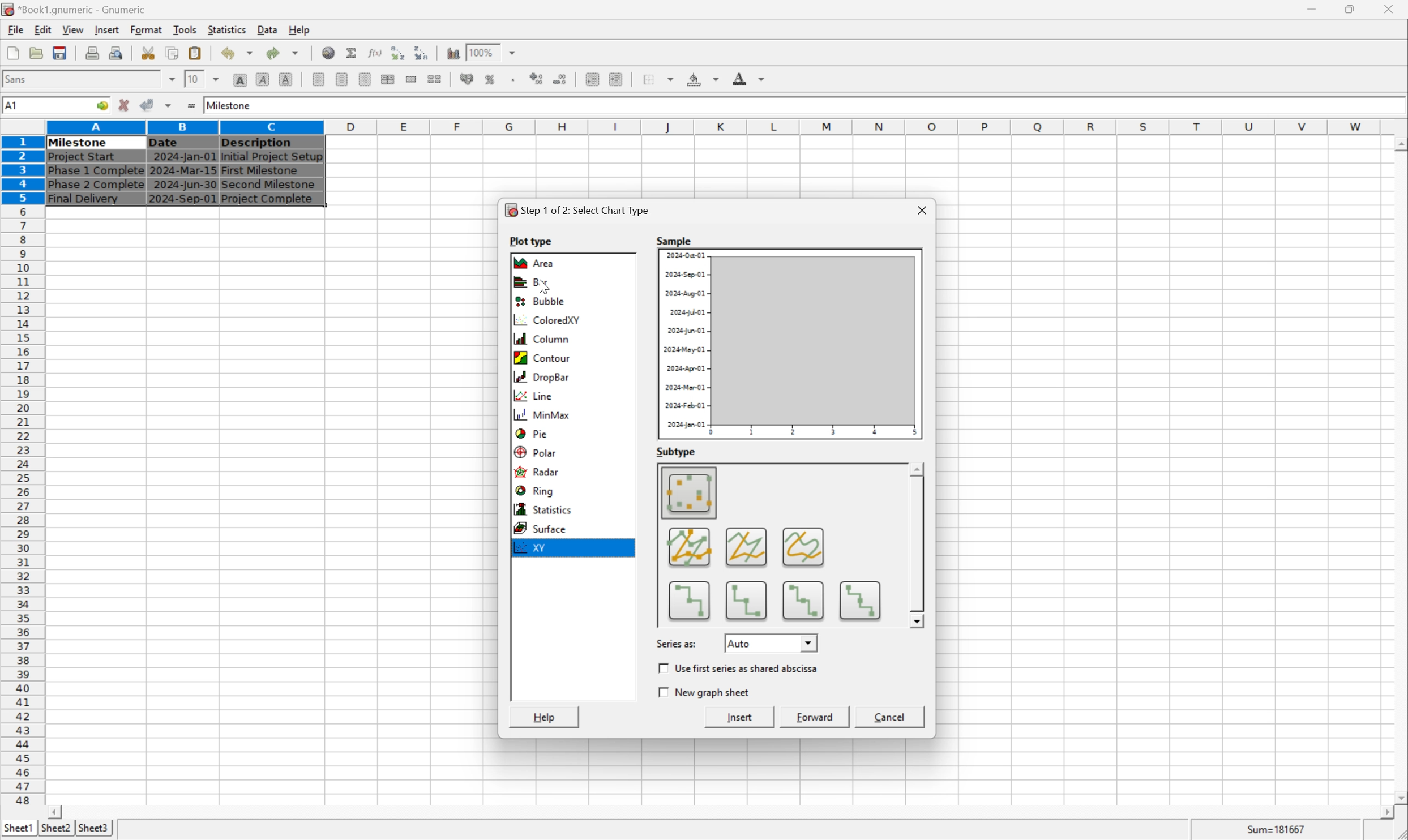 This screenshot has height=840, width=1408. What do you see at coordinates (1399, 470) in the screenshot?
I see `scroll bar` at bounding box center [1399, 470].